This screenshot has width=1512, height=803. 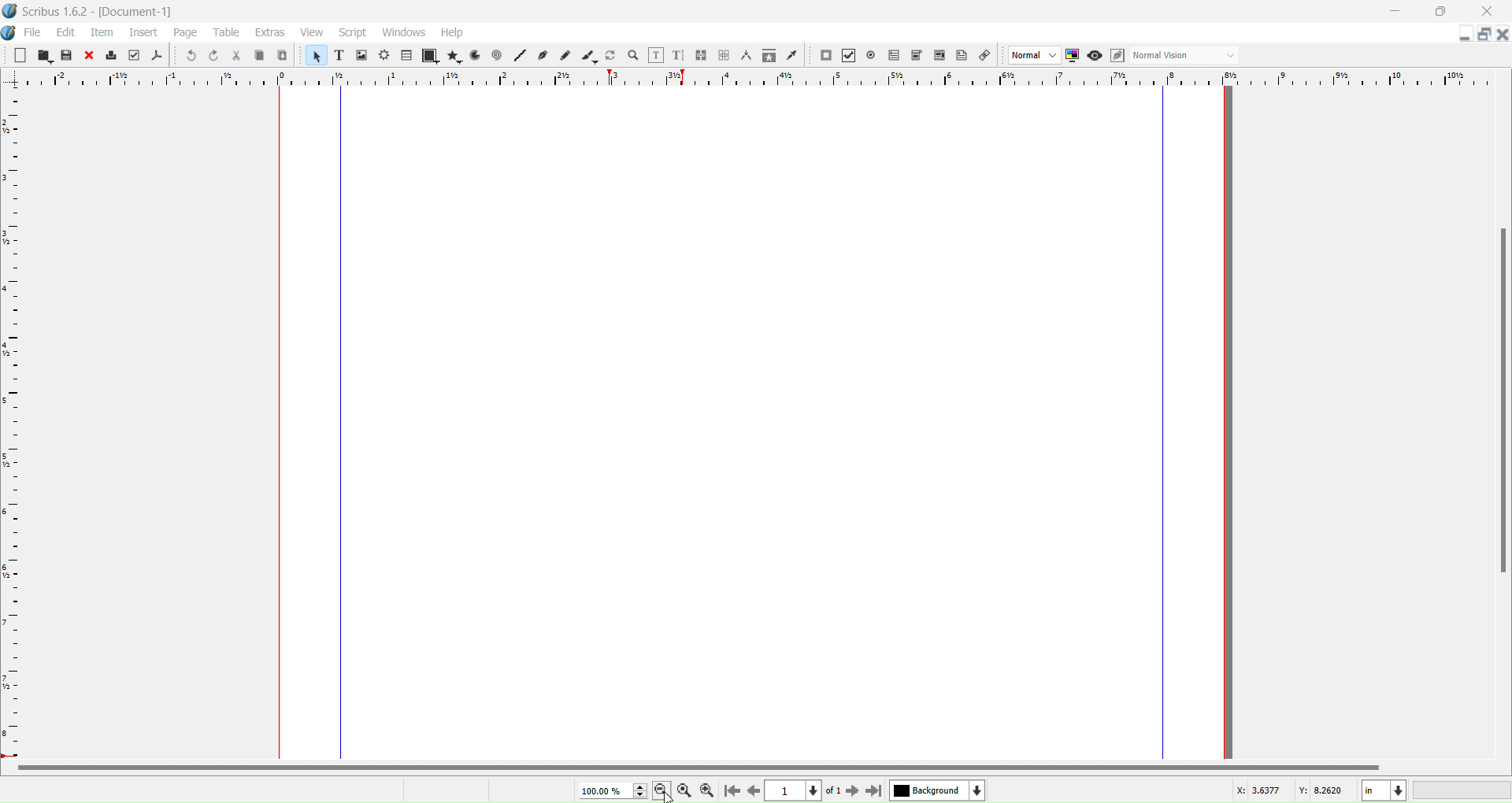 I want to click on PDF List Box, so click(x=940, y=56).